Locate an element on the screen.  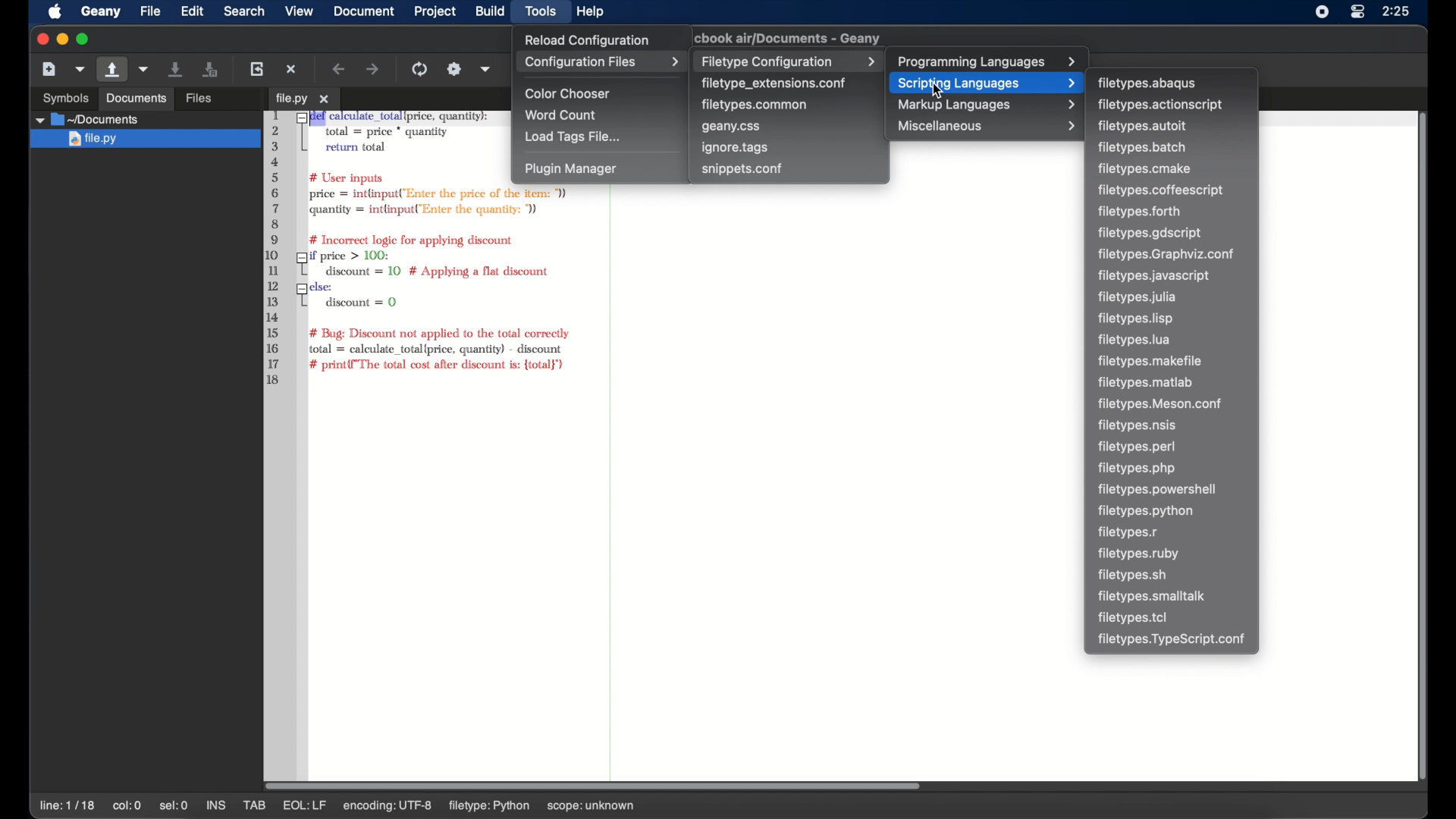
 is located at coordinates (59, 96).